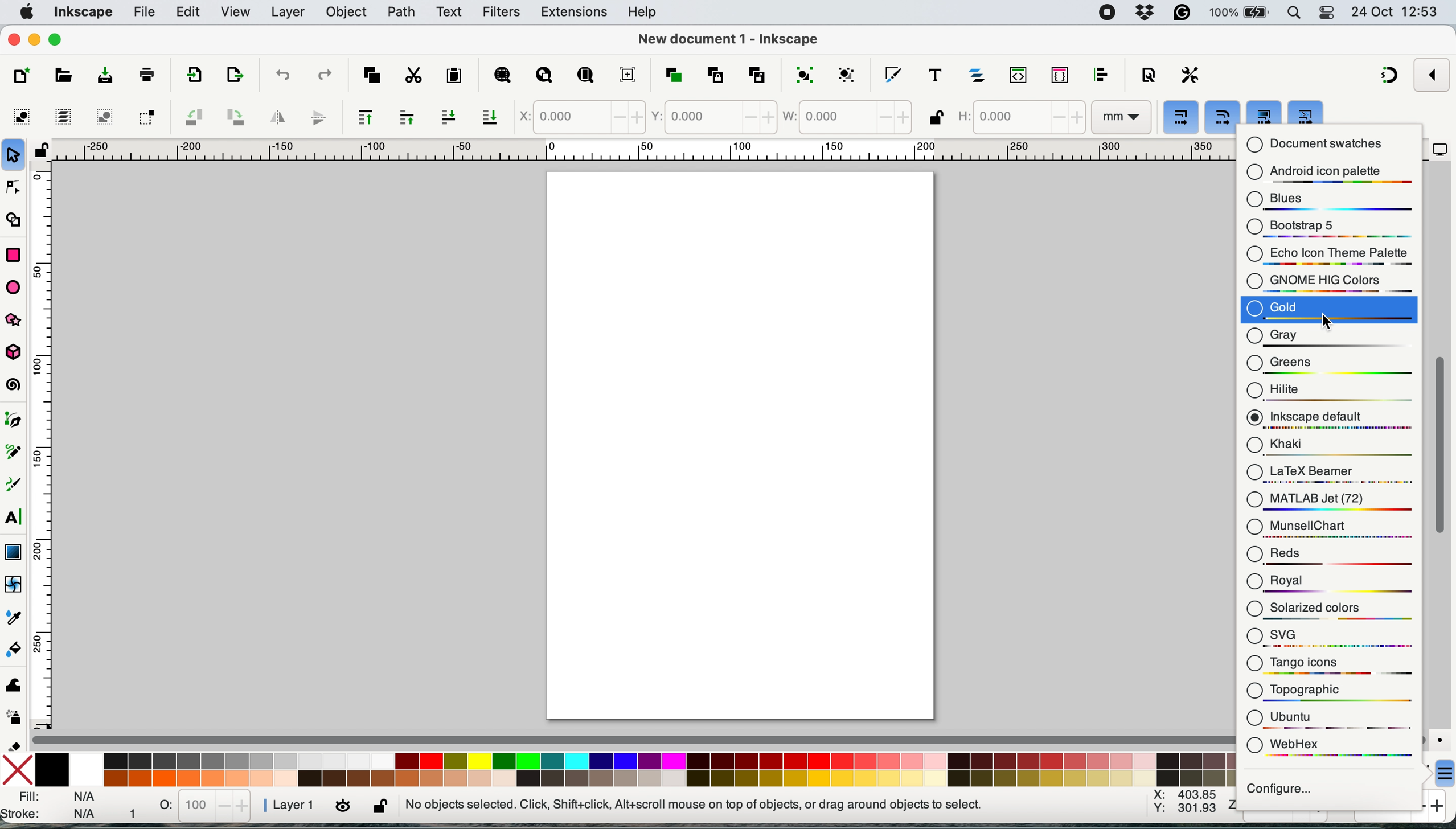 This screenshot has width=1456, height=829. Describe the element at coordinates (1385, 77) in the screenshot. I see `snapping` at that location.